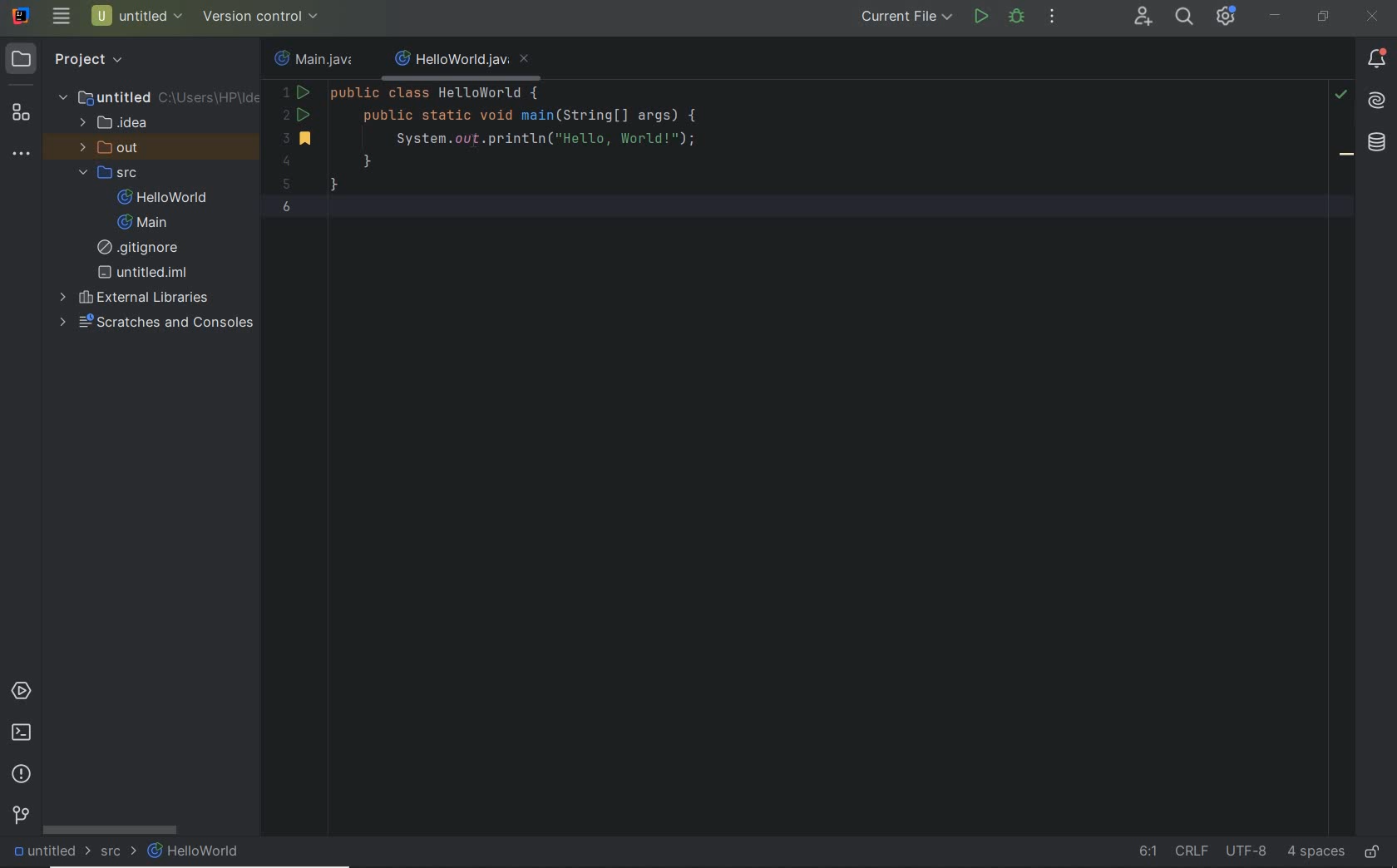  I want to click on go to line 6:1, so click(1143, 851).